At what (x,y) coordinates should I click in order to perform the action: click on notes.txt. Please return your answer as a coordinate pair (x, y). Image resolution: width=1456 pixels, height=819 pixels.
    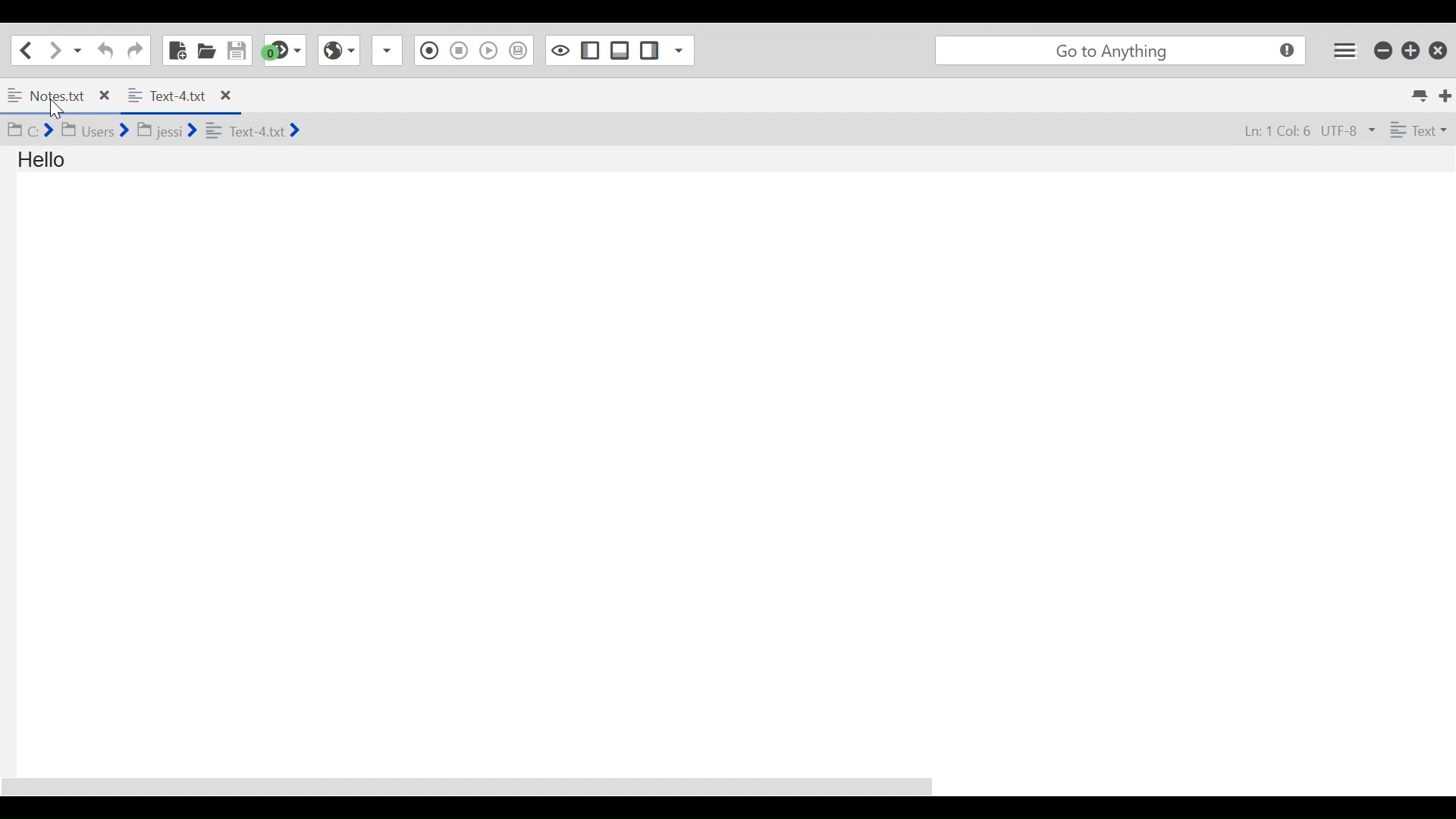
    Looking at the image, I should click on (253, 130).